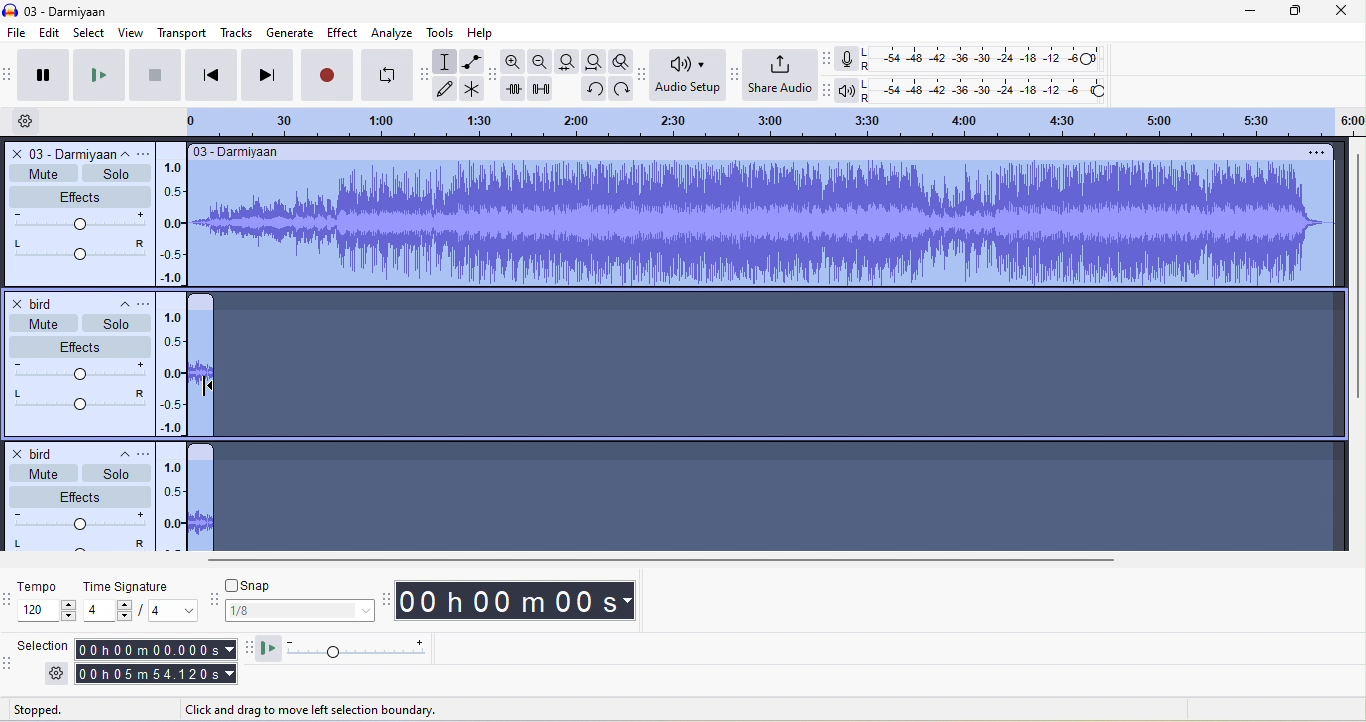 The image size is (1366, 722). I want to click on file, so click(18, 33).